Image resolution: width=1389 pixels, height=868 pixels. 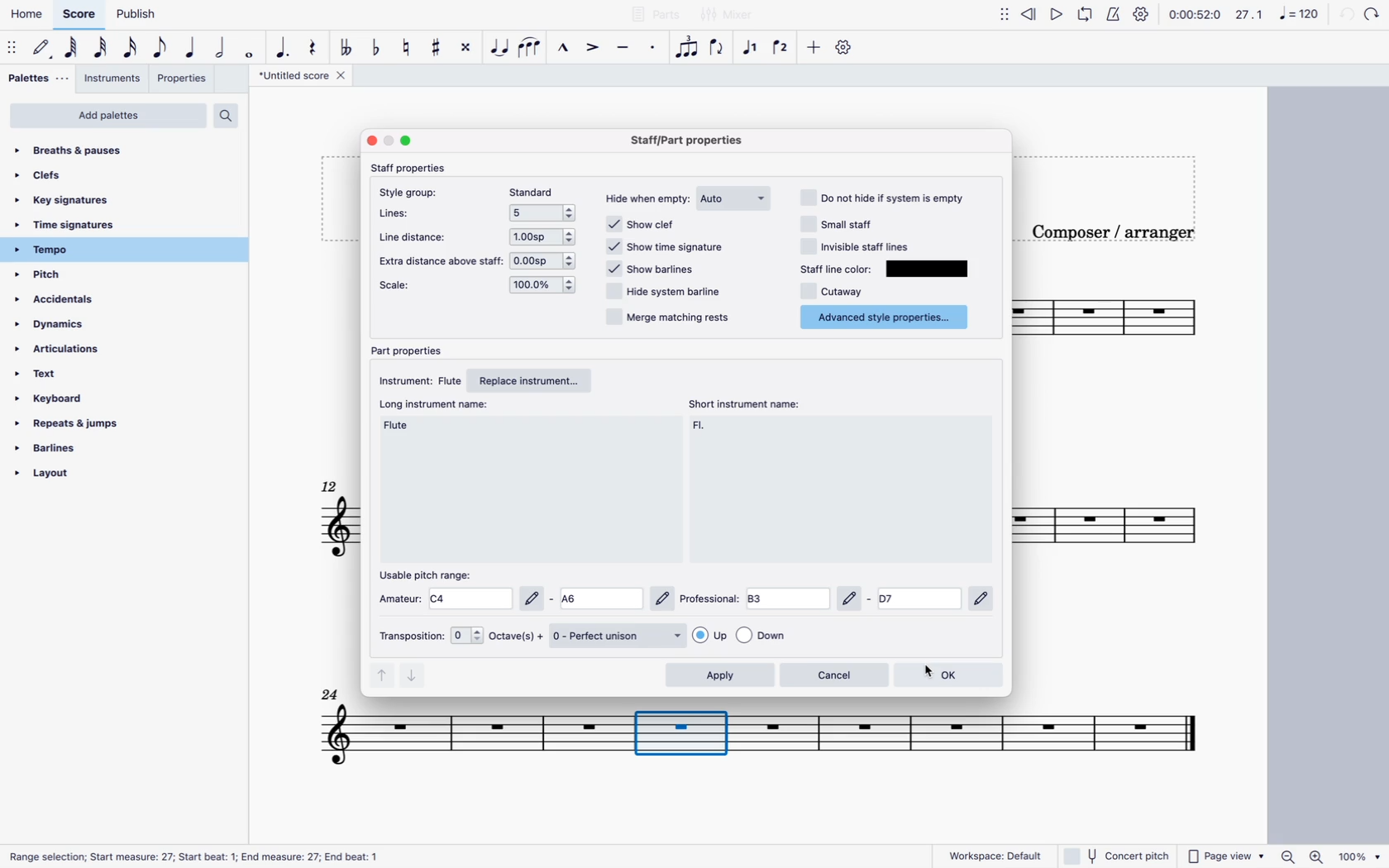 What do you see at coordinates (1277, 15) in the screenshot?
I see `scale` at bounding box center [1277, 15].